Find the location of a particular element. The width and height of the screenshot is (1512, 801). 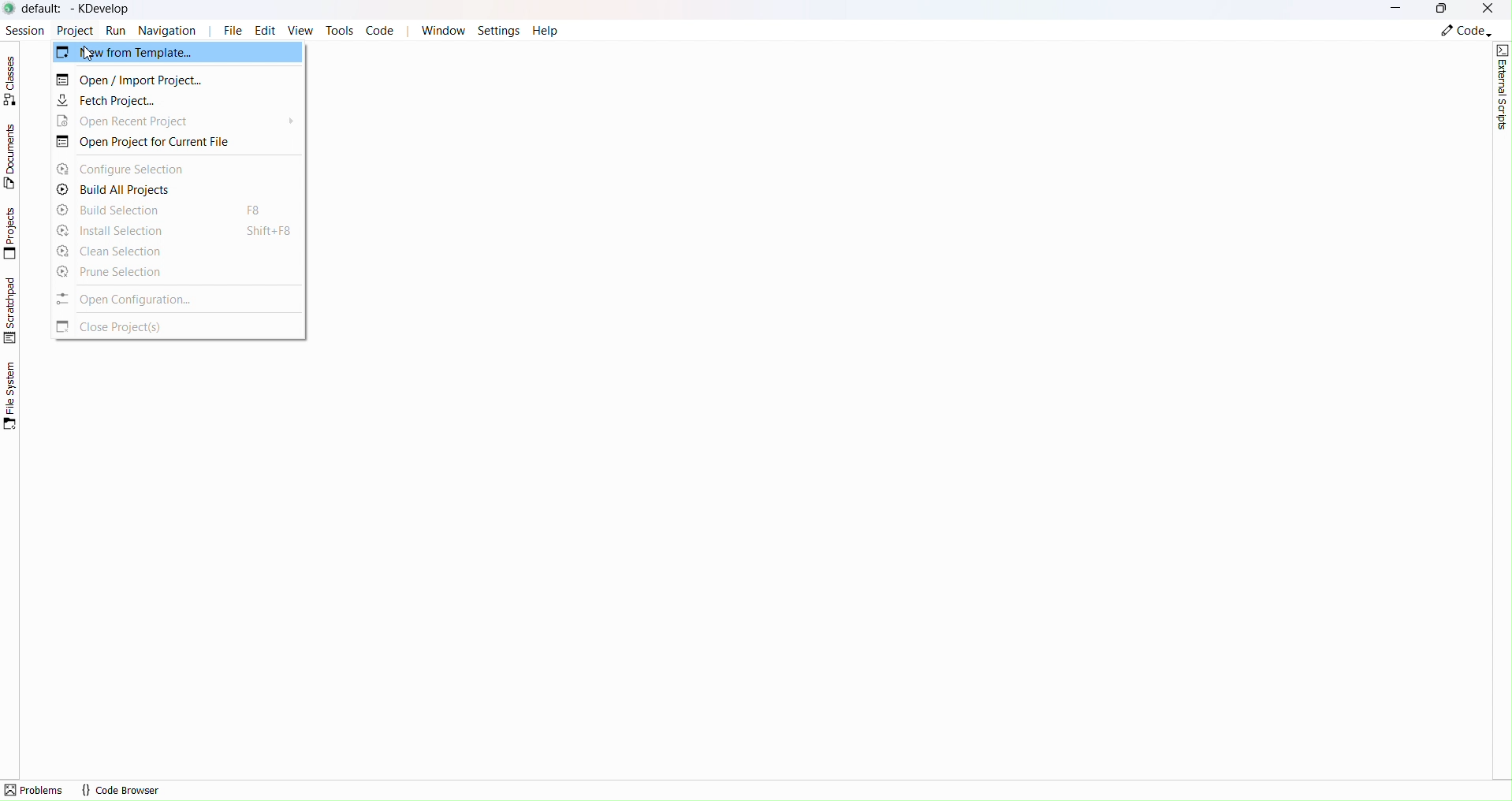

Open/Import Project is located at coordinates (169, 80).